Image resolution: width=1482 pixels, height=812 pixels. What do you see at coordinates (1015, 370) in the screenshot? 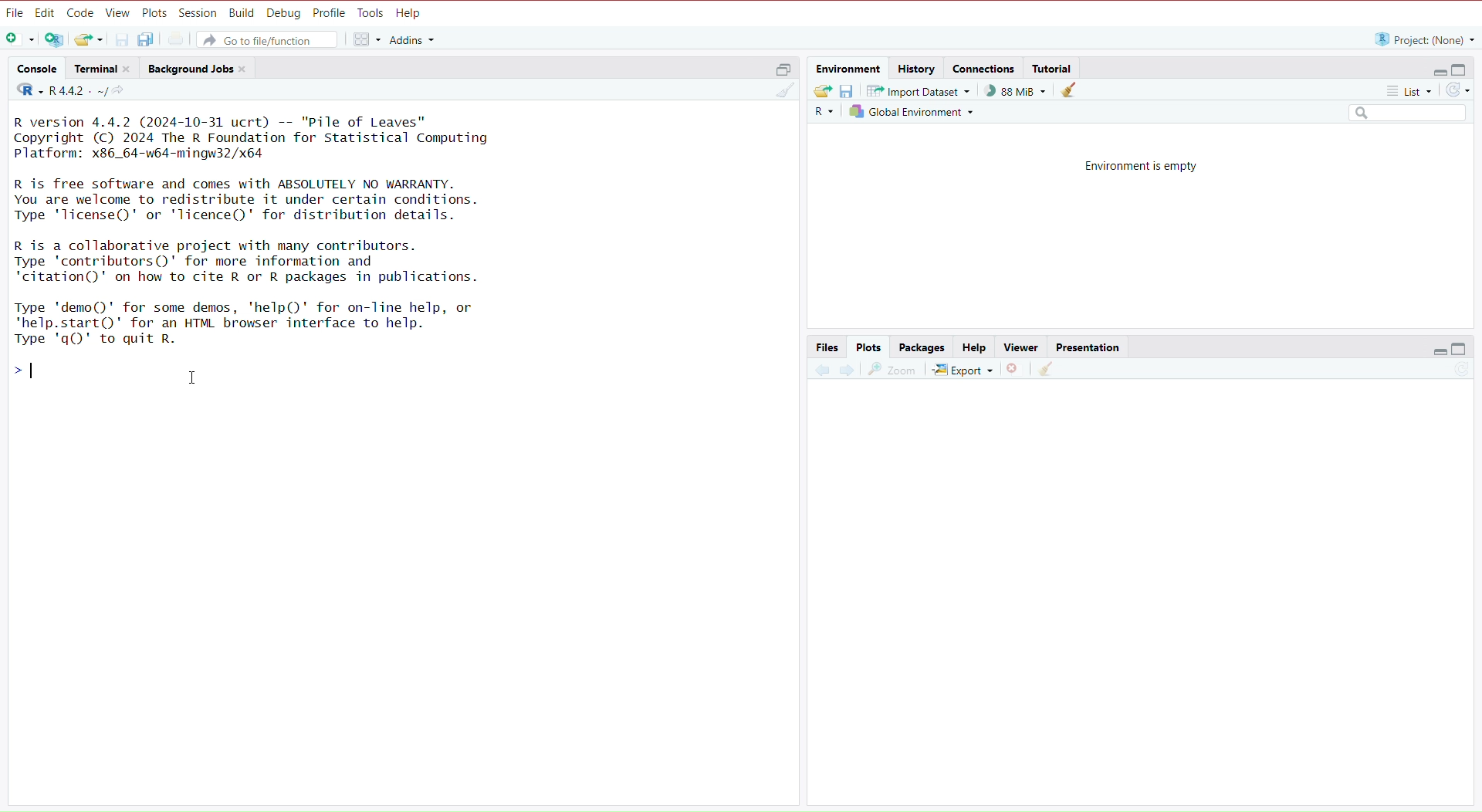
I see `Remove selected` at bounding box center [1015, 370].